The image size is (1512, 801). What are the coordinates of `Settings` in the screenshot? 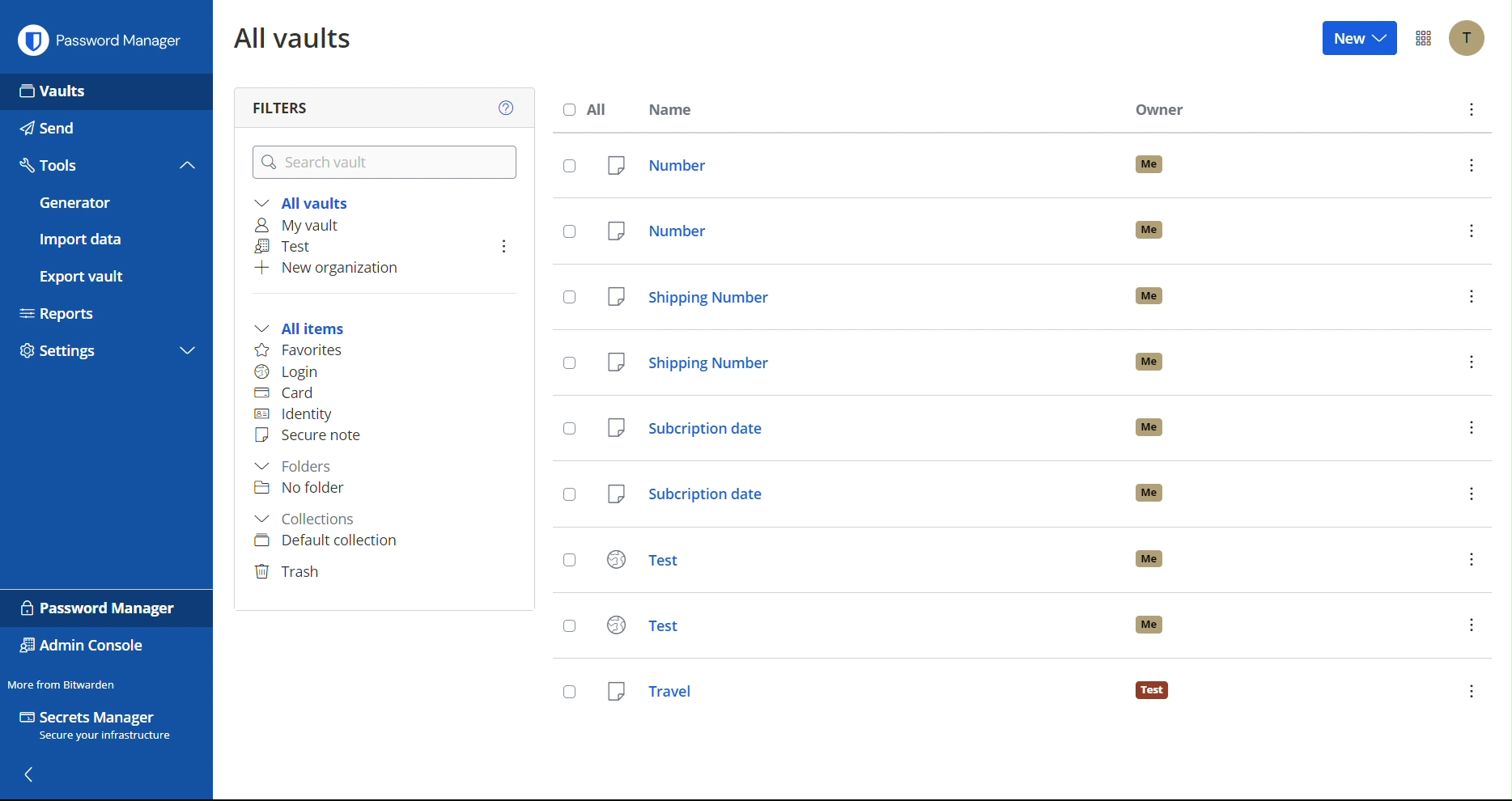 It's located at (87, 354).